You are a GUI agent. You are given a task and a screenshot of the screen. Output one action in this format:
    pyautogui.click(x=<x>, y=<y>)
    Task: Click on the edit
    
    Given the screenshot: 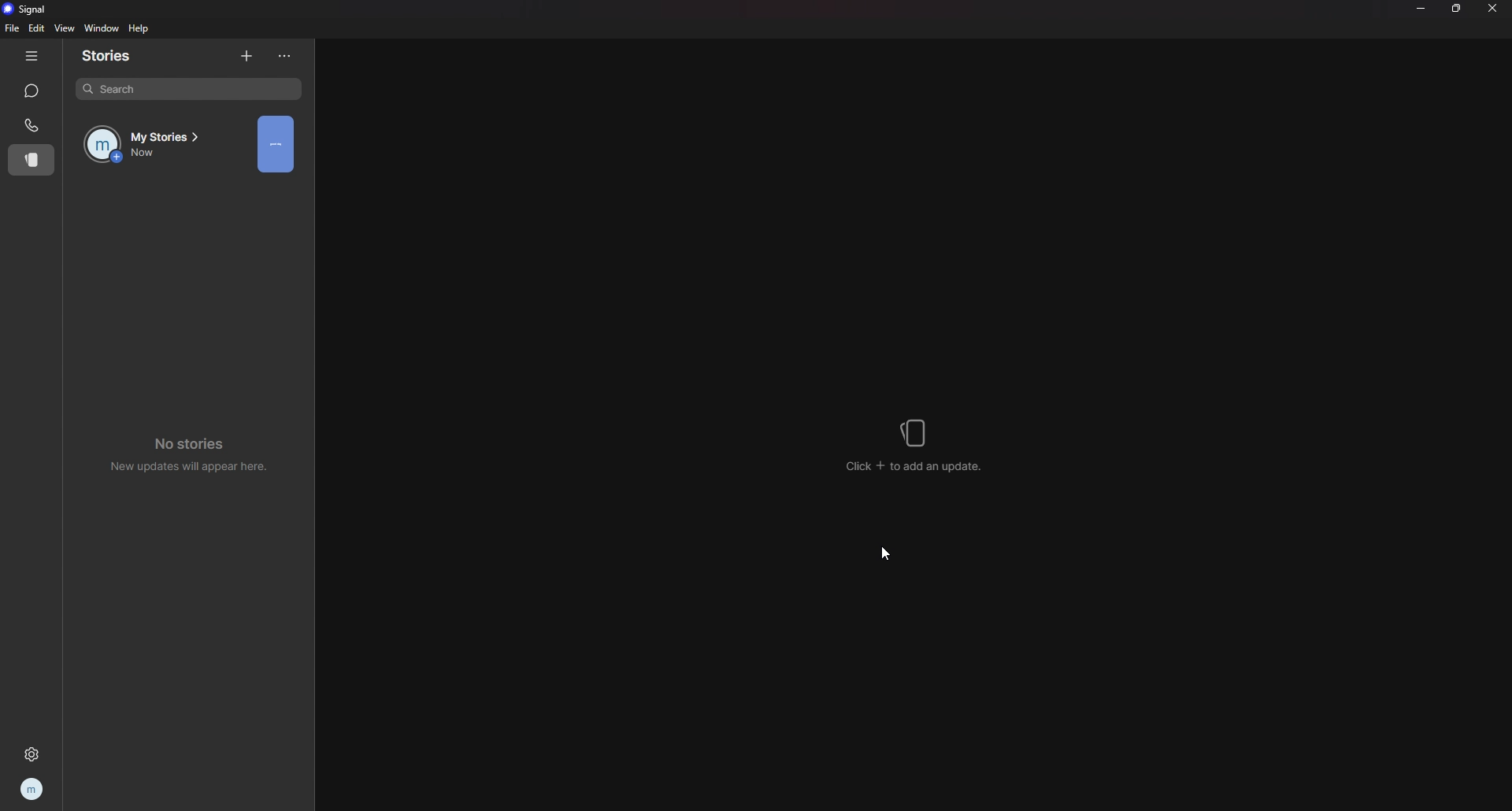 What is the action you would take?
    pyautogui.click(x=37, y=28)
    